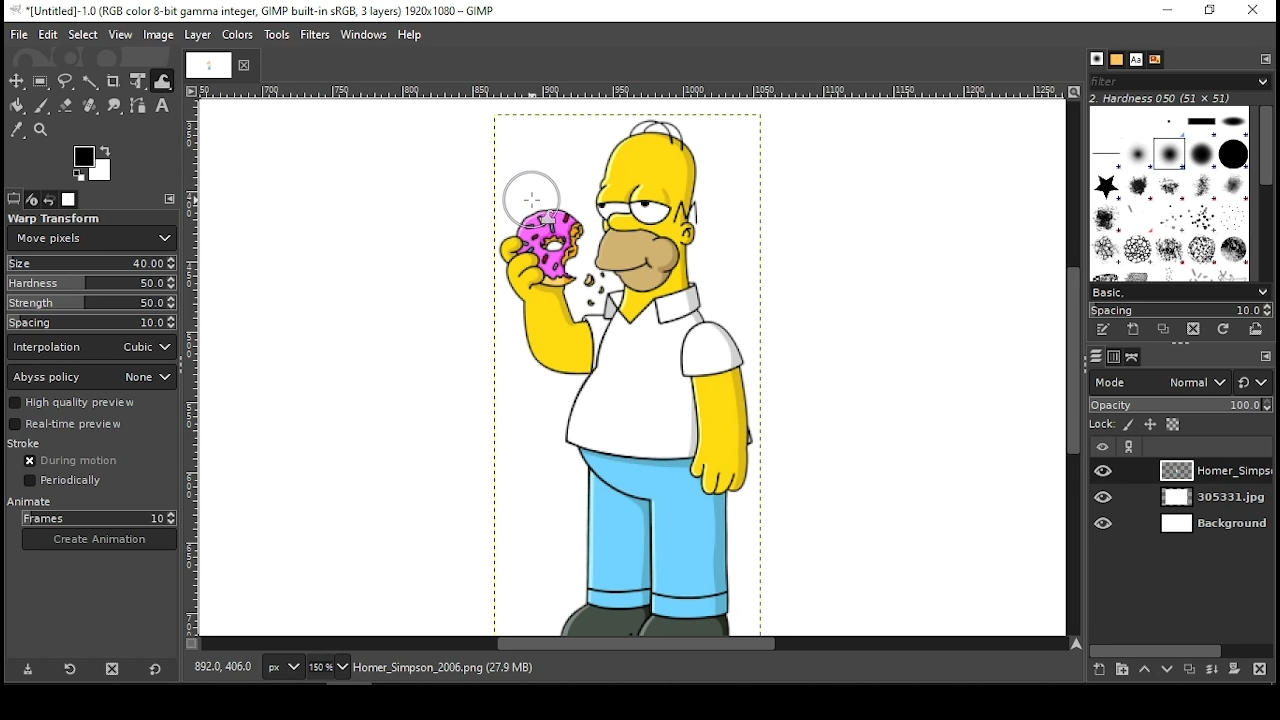 The width and height of the screenshot is (1280, 720). What do you see at coordinates (162, 105) in the screenshot?
I see `text tool` at bounding box center [162, 105].